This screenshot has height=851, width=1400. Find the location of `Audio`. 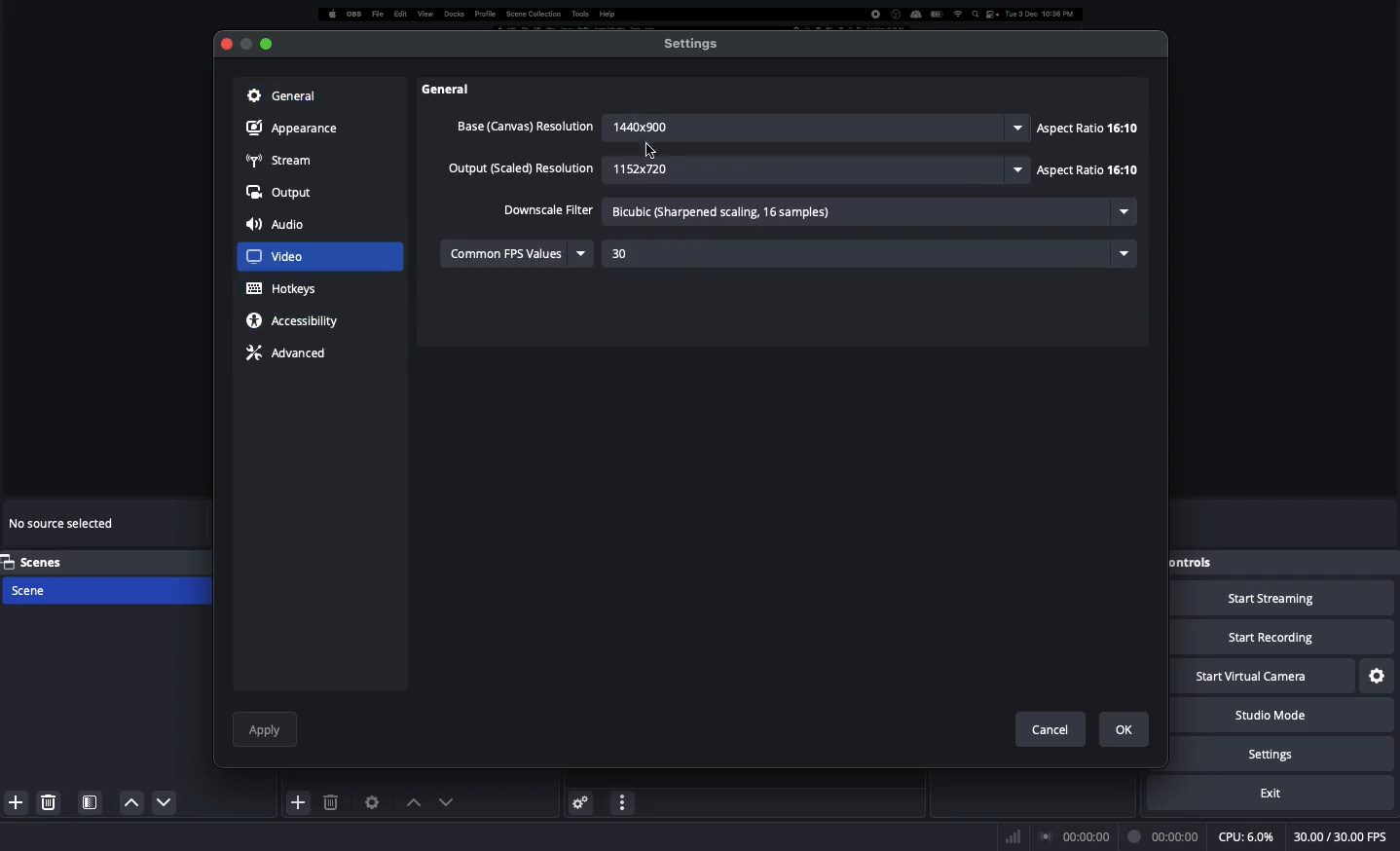

Audio is located at coordinates (279, 226).